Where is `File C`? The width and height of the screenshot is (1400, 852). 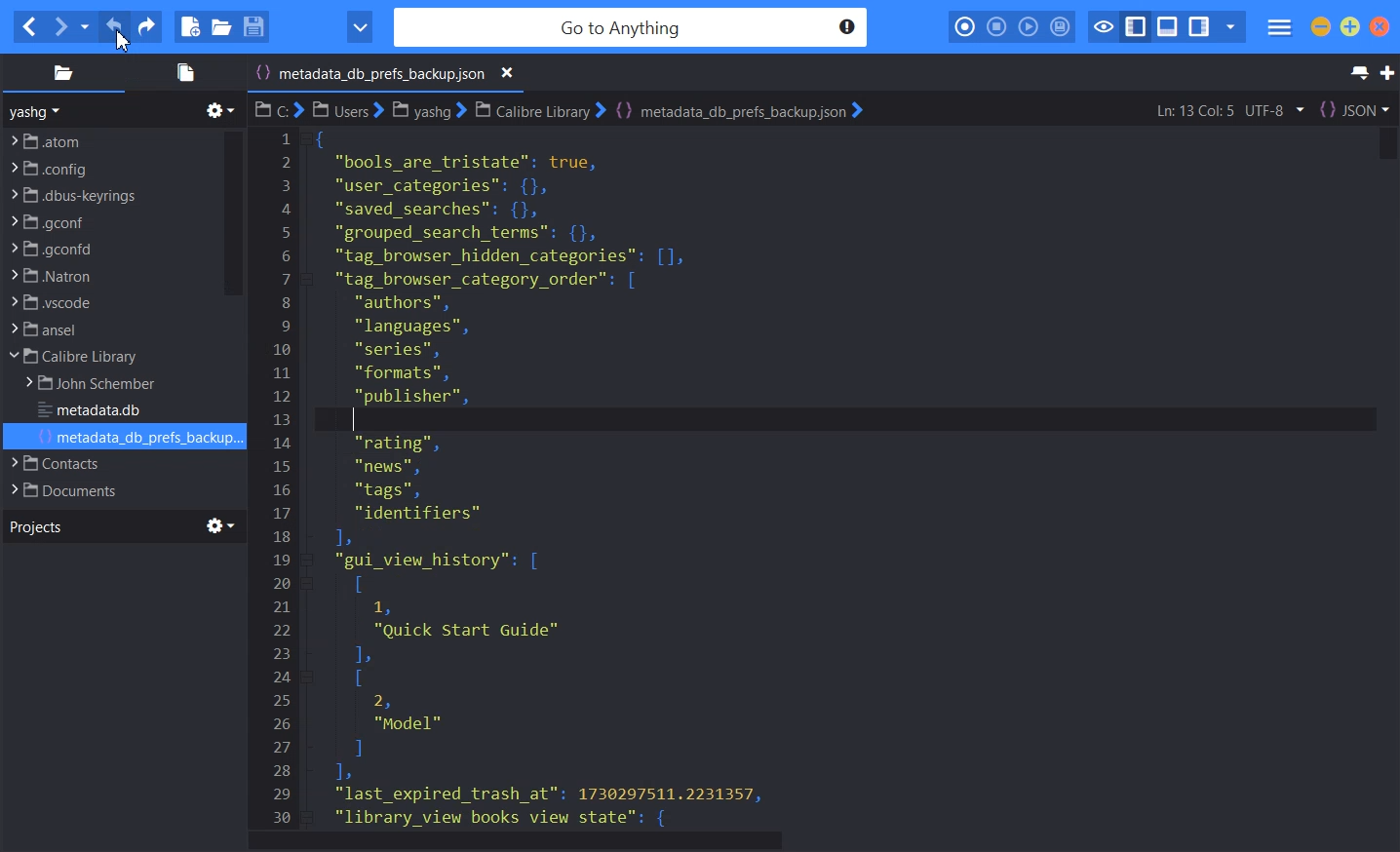 File C is located at coordinates (278, 109).